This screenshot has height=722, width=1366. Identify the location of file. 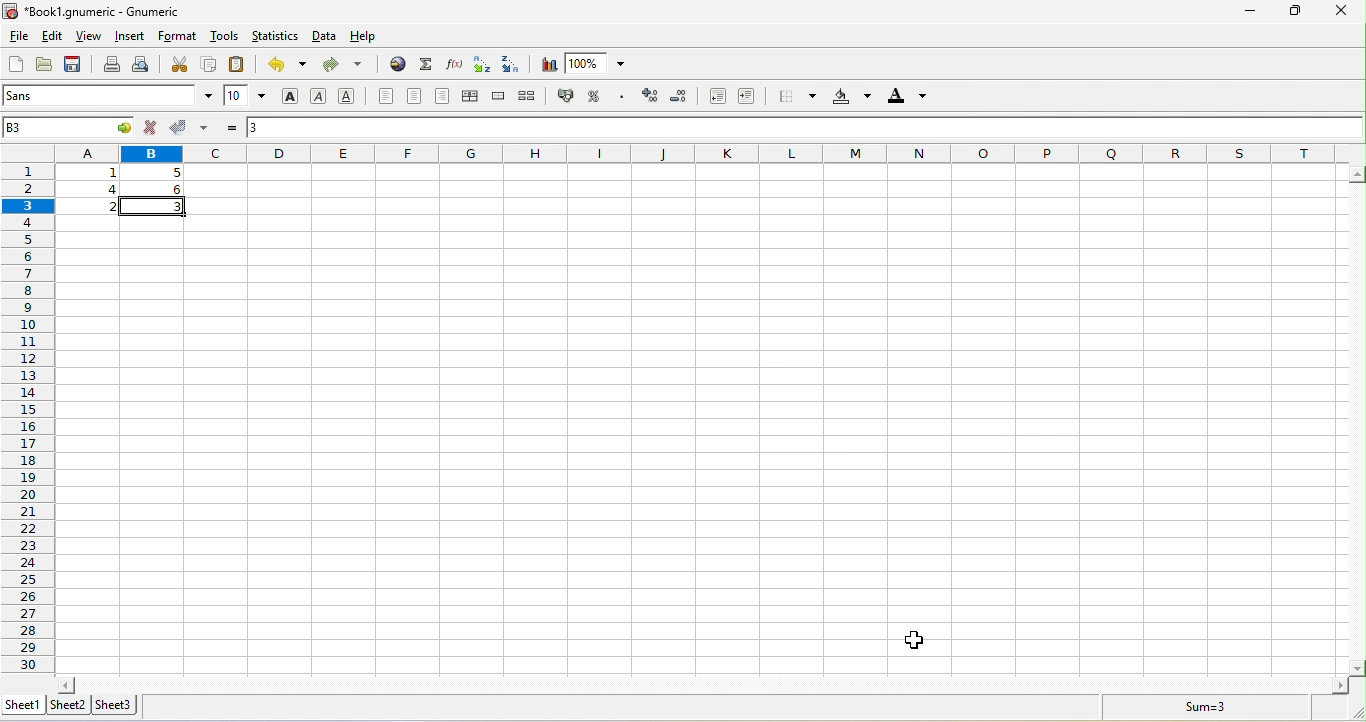
(17, 36).